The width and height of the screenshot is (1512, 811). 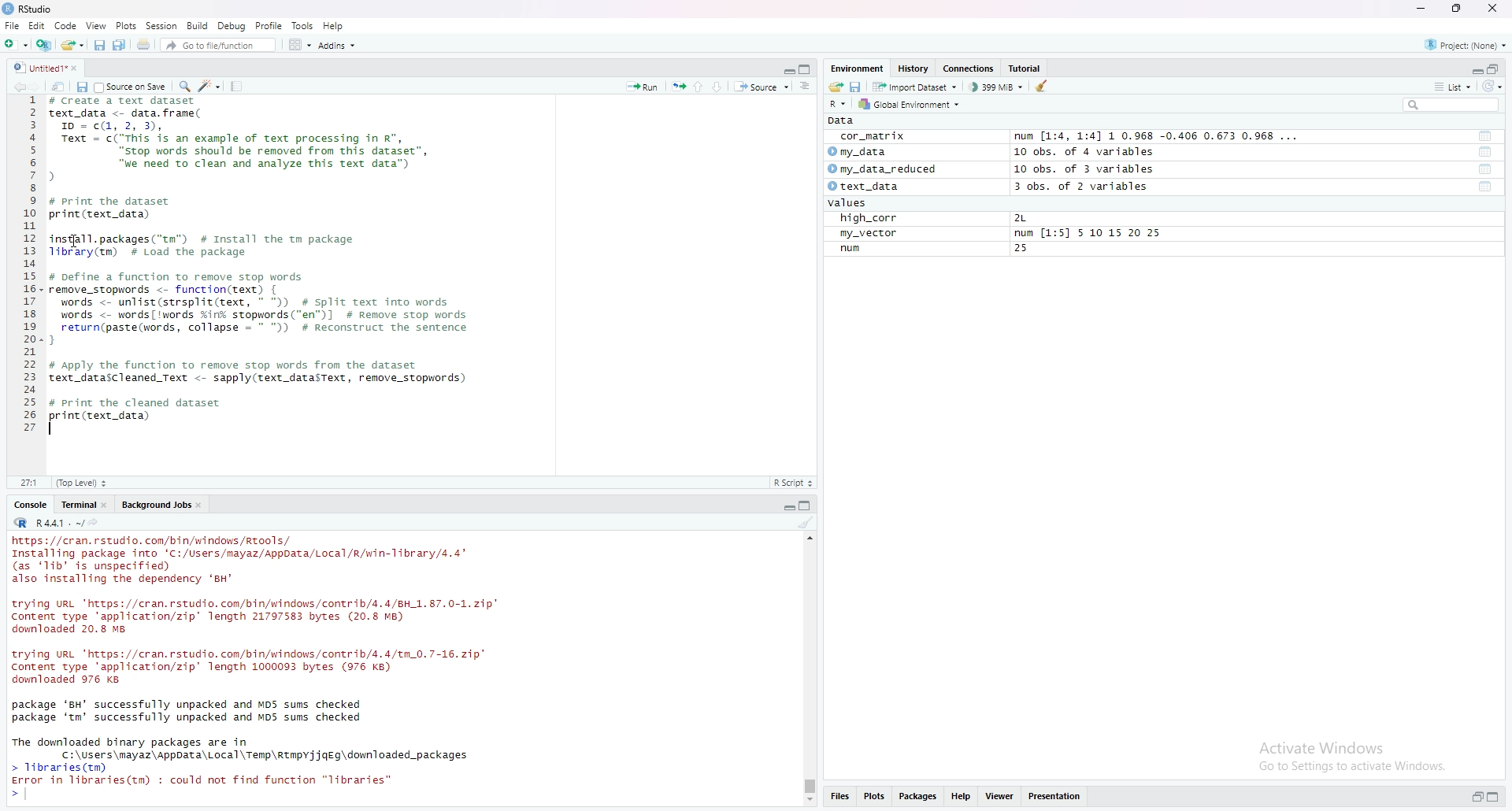 What do you see at coordinates (232, 26) in the screenshot?
I see `debug` at bounding box center [232, 26].